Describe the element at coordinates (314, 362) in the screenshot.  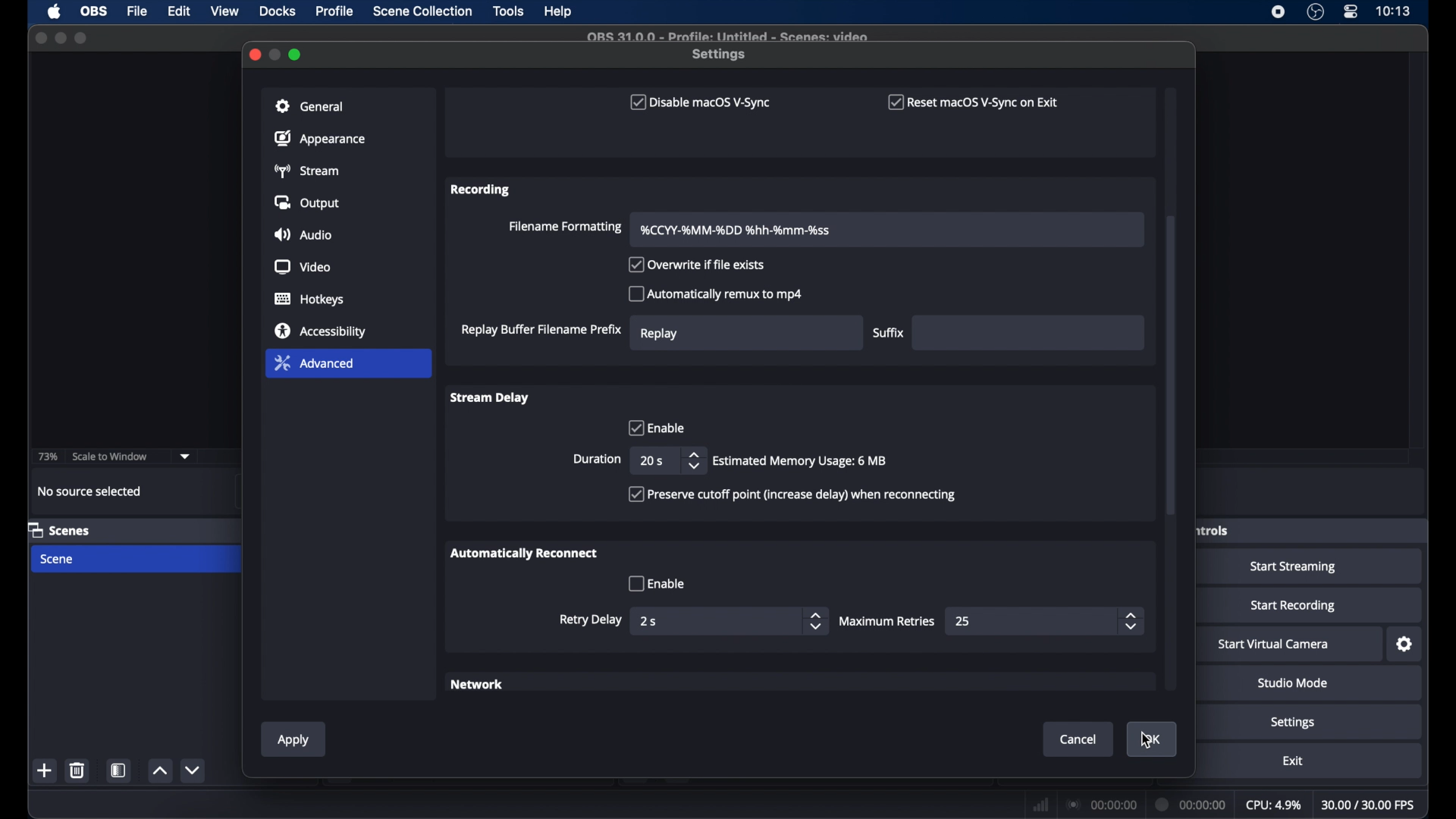
I see `advanced ` at that location.